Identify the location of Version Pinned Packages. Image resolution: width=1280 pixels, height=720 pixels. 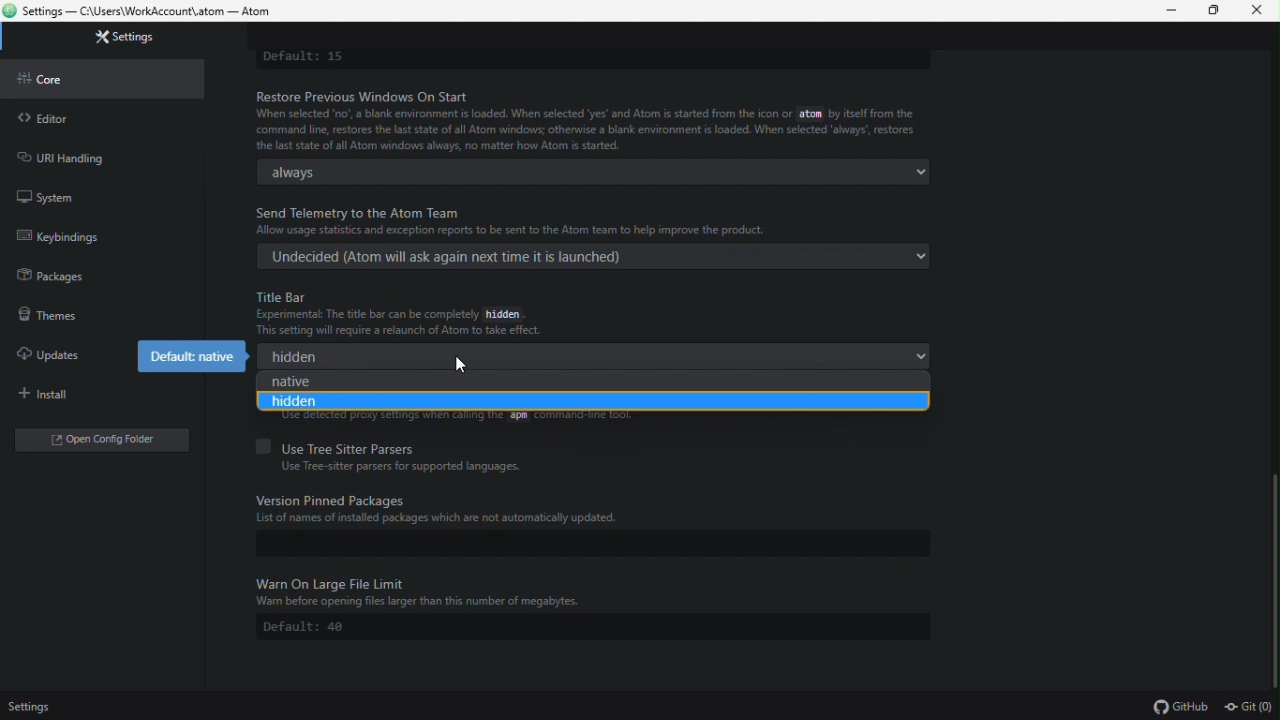
(337, 499).